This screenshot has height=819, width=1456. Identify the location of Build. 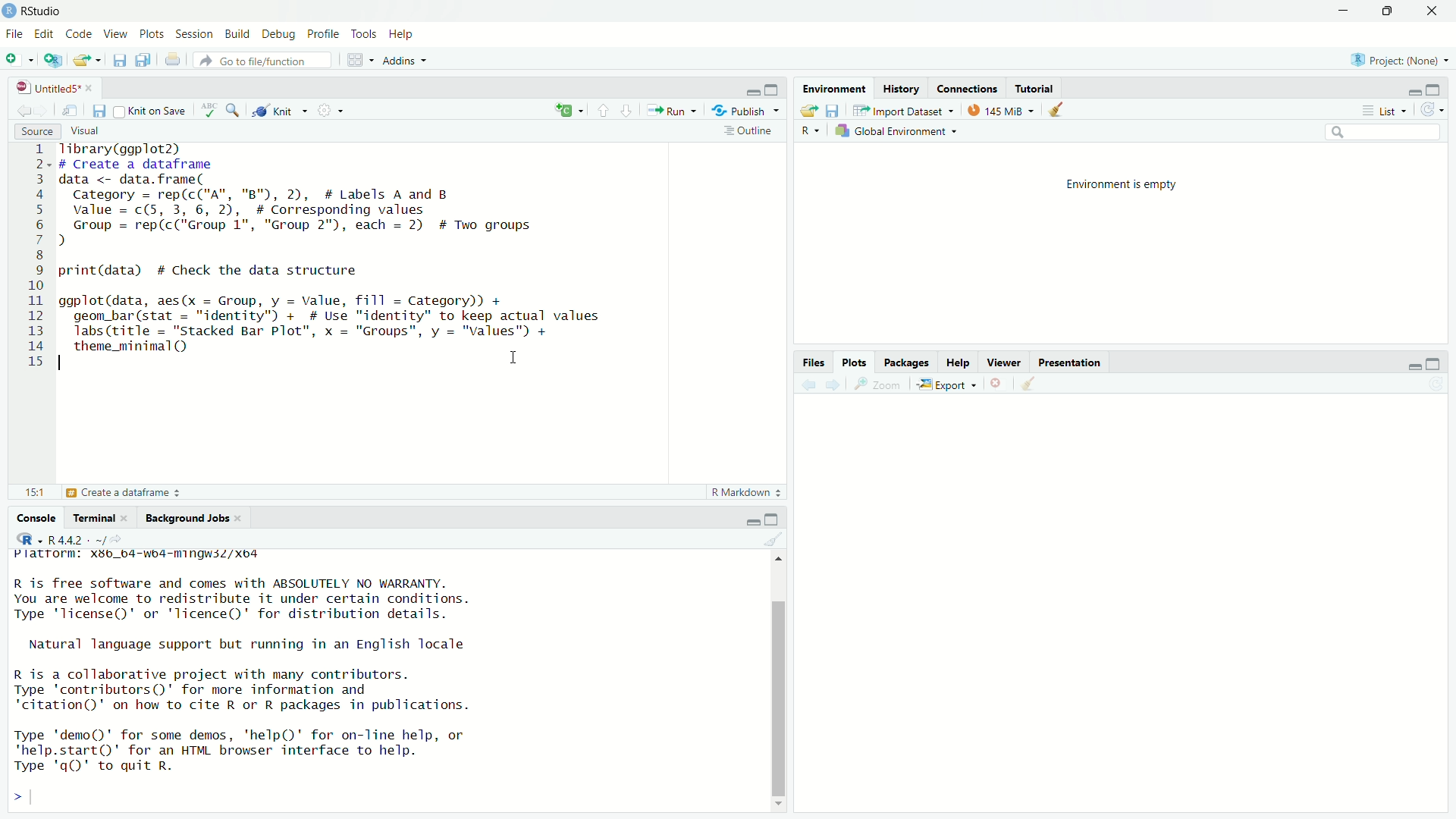
(237, 33).